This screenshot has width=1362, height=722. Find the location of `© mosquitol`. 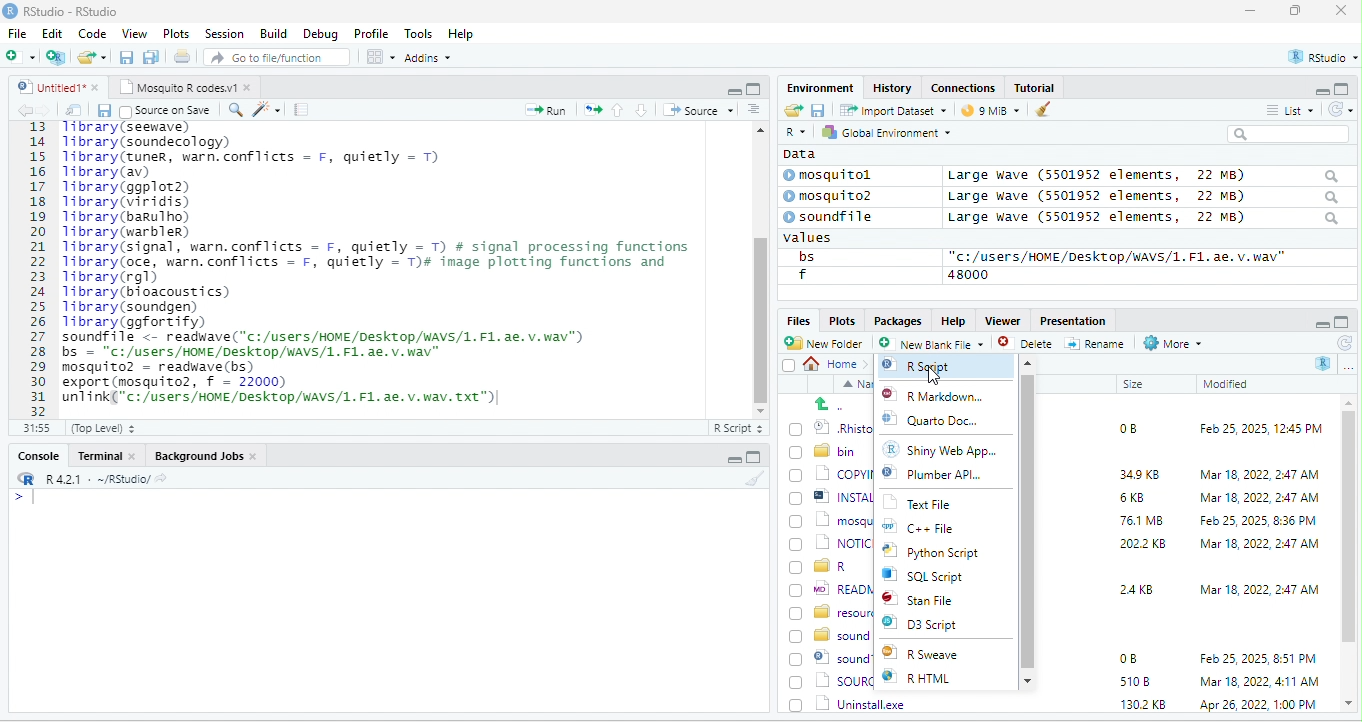

© mosquitol is located at coordinates (842, 175).